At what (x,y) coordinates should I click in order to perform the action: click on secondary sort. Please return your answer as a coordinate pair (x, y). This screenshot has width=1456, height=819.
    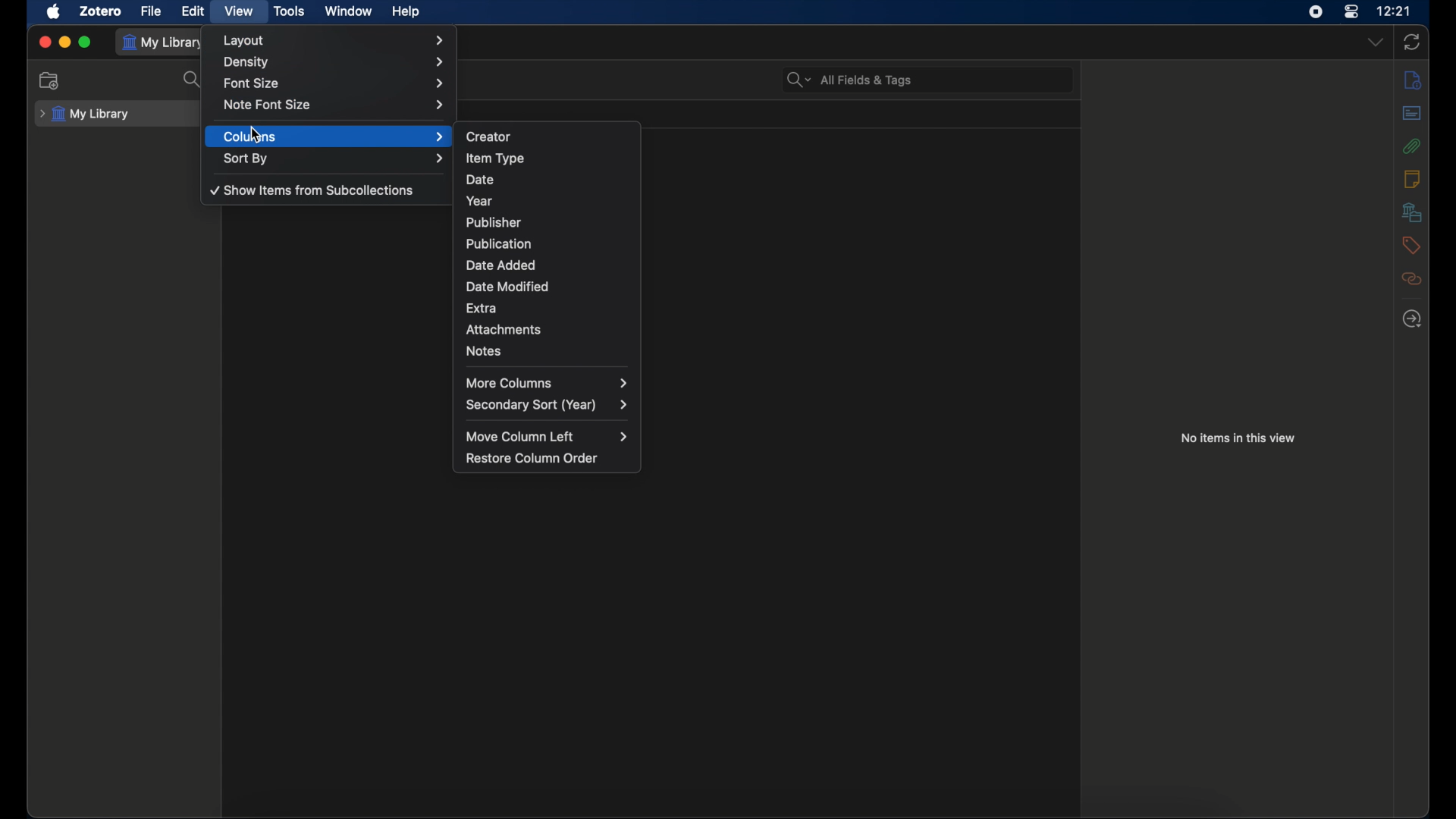
    Looking at the image, I should click on (548, 405).